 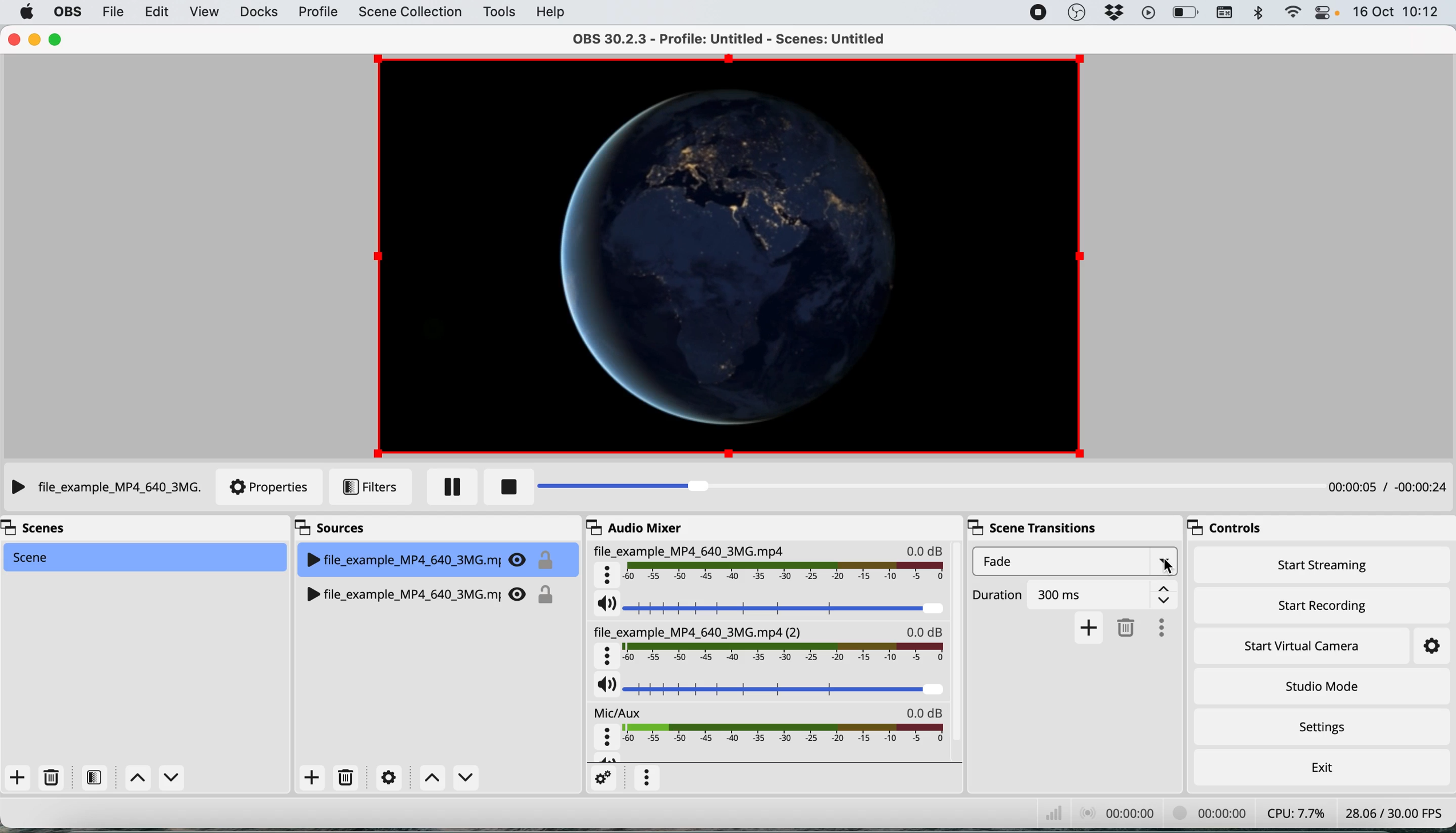 What do you see at coordinates (321, 13) in the screenshot?
I see `profile` at bounding box center [321, 13].